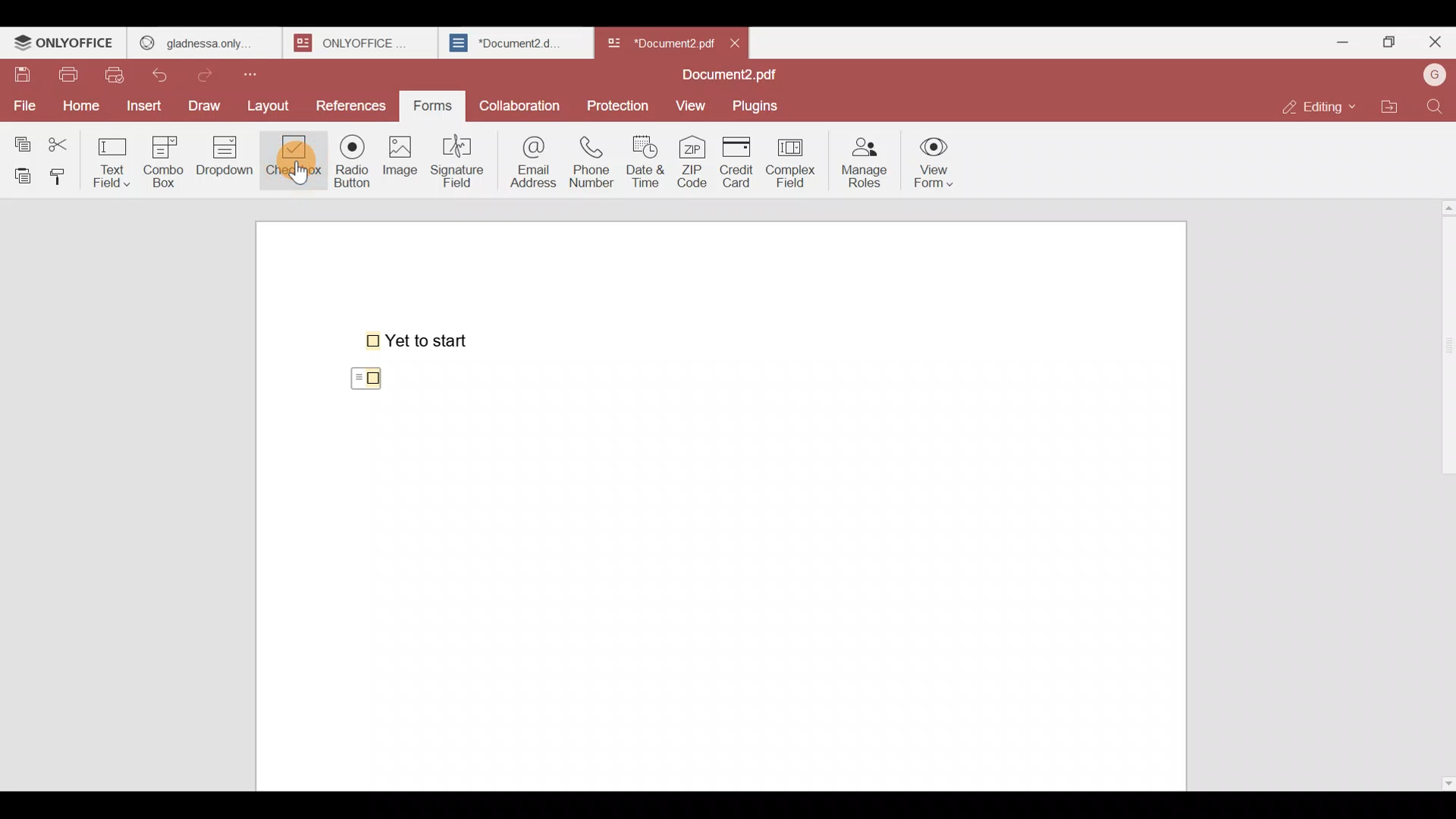 The width and height of the screenshot is (1456, 819). What do you see at coordinates (402, 167) in the screenshot?
I see `Image` at bounding box center [402, 167].